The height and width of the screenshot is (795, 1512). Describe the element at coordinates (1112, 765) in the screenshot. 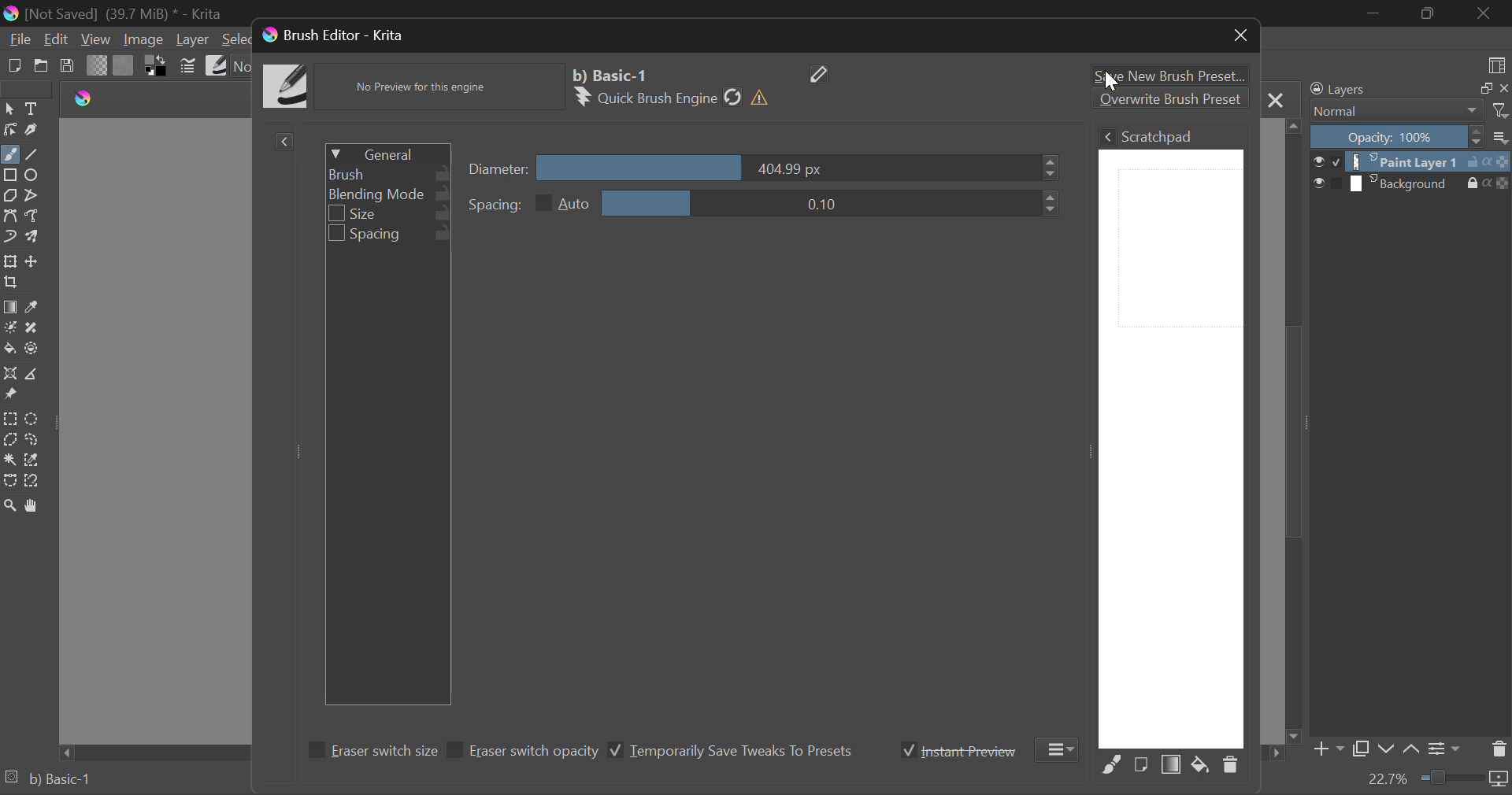

I see `Fill Area with Selected Brush Preset` at that location.